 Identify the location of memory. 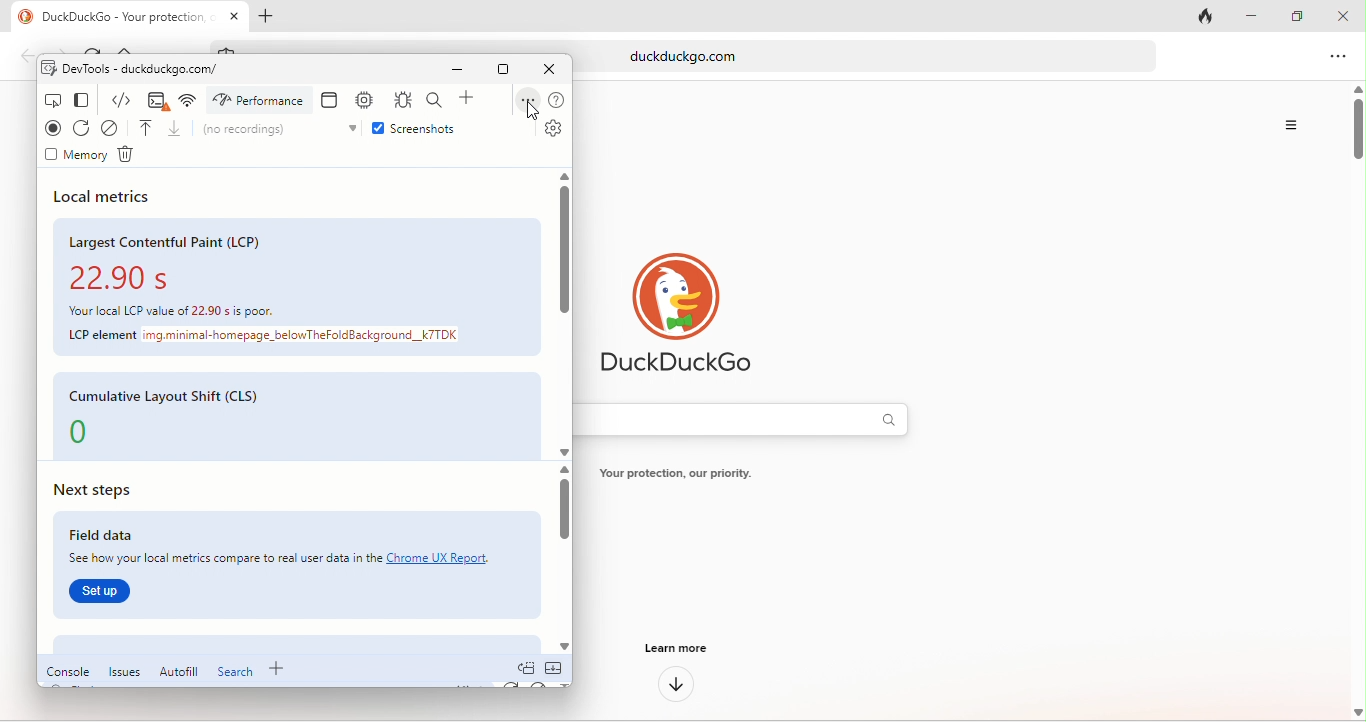
(72, 154).